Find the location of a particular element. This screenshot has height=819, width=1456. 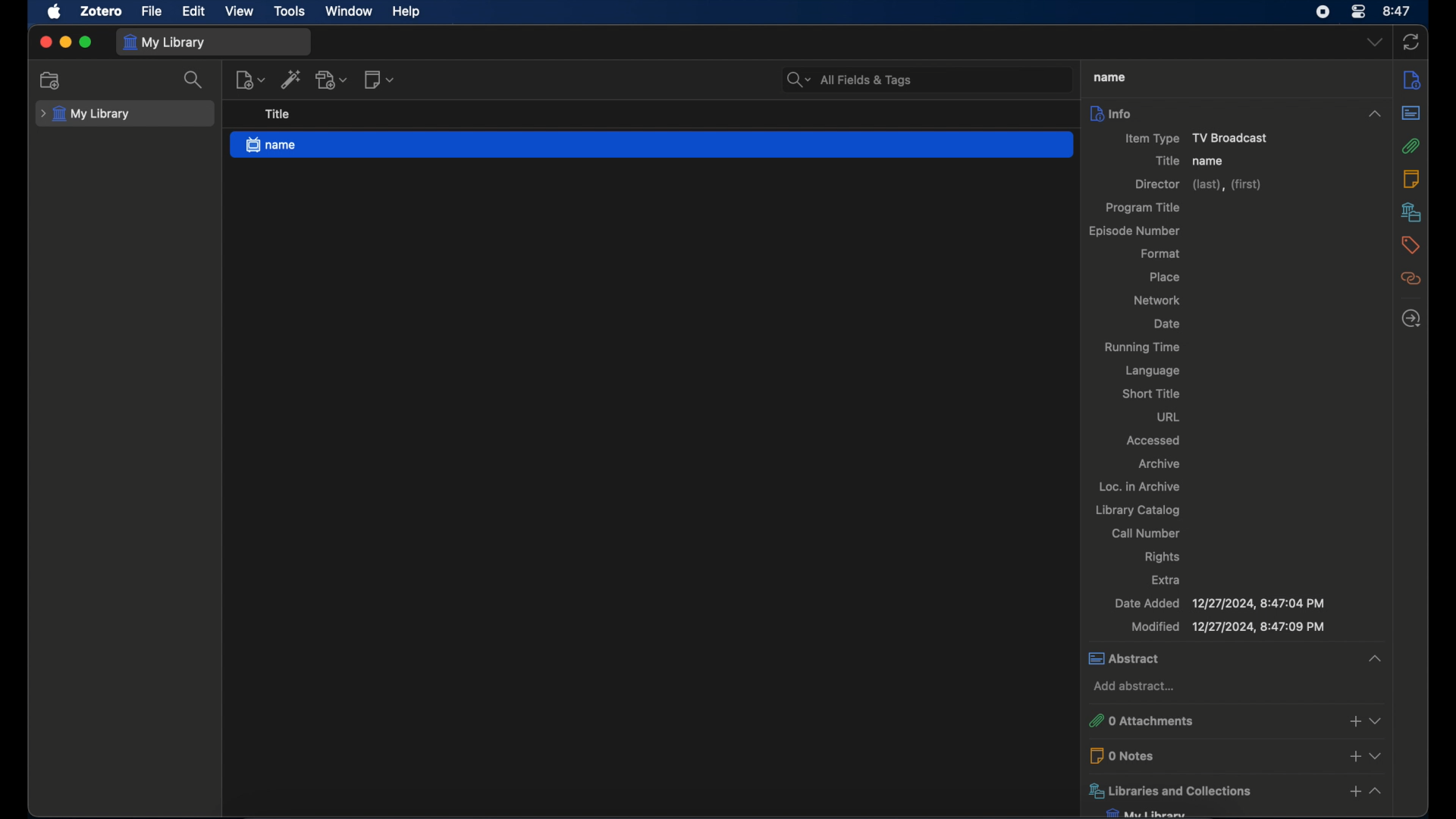

abstract is located at coordinates (1410, 115).